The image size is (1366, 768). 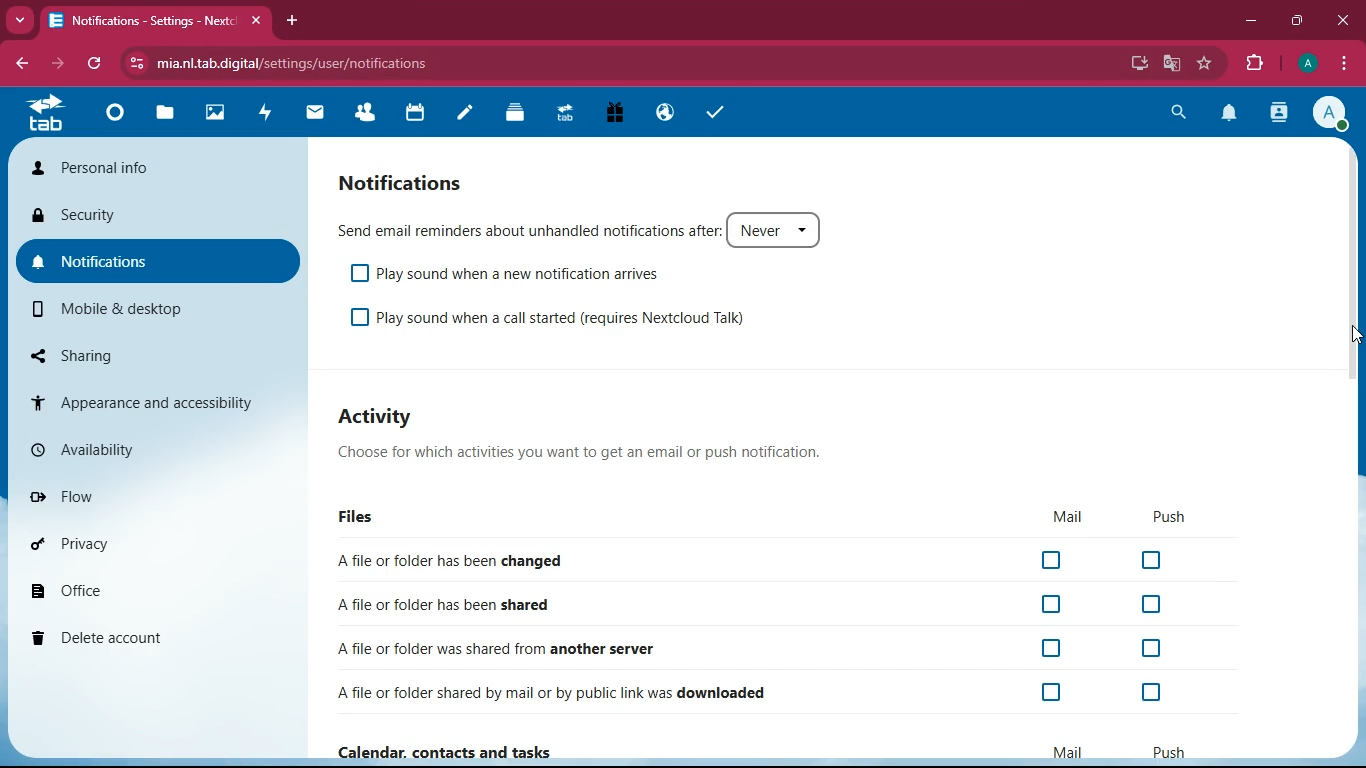 I want to click on privacy, so click(x=155, y=546).